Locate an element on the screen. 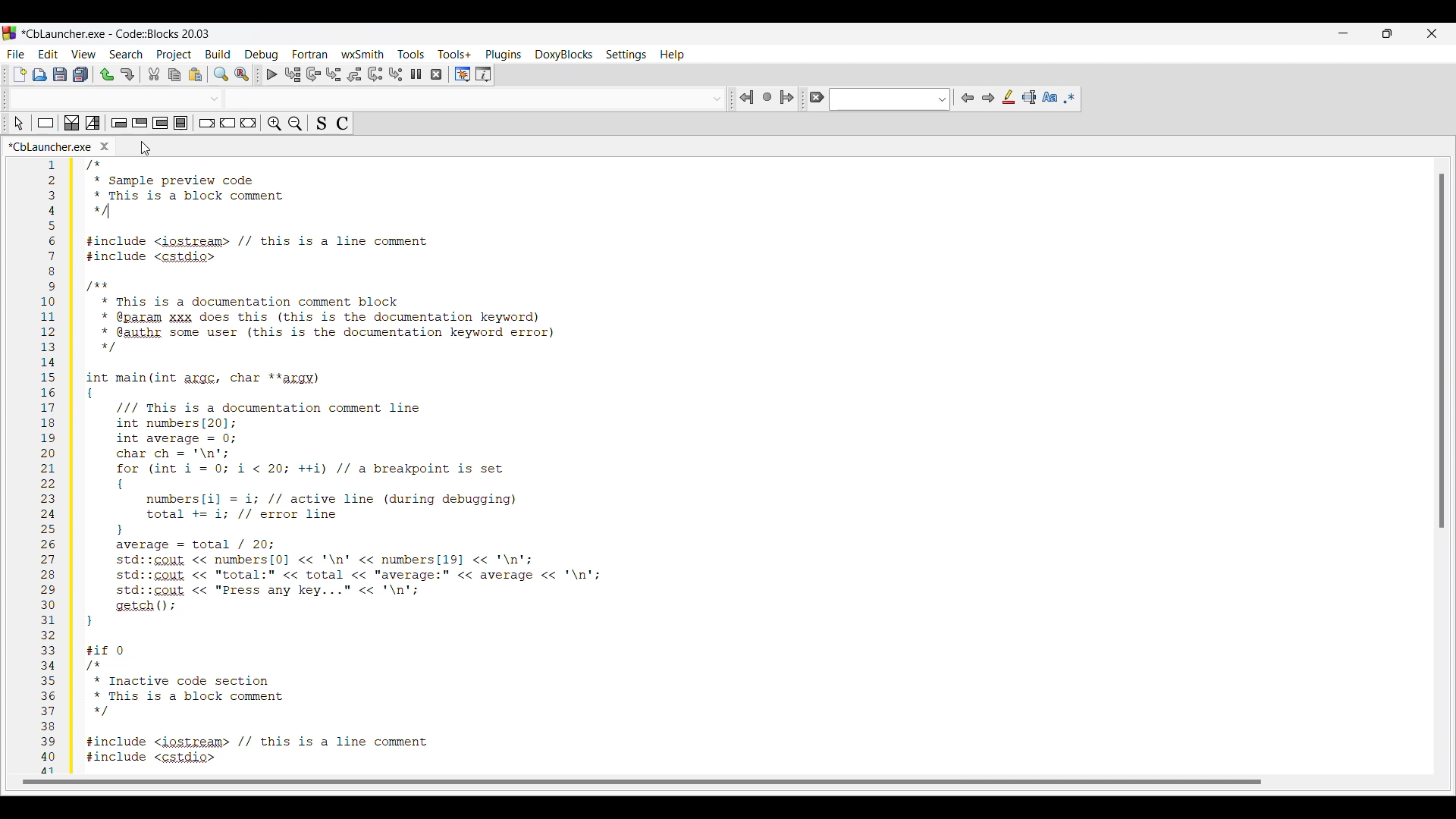  Current code is located at coordinates (520, 466).